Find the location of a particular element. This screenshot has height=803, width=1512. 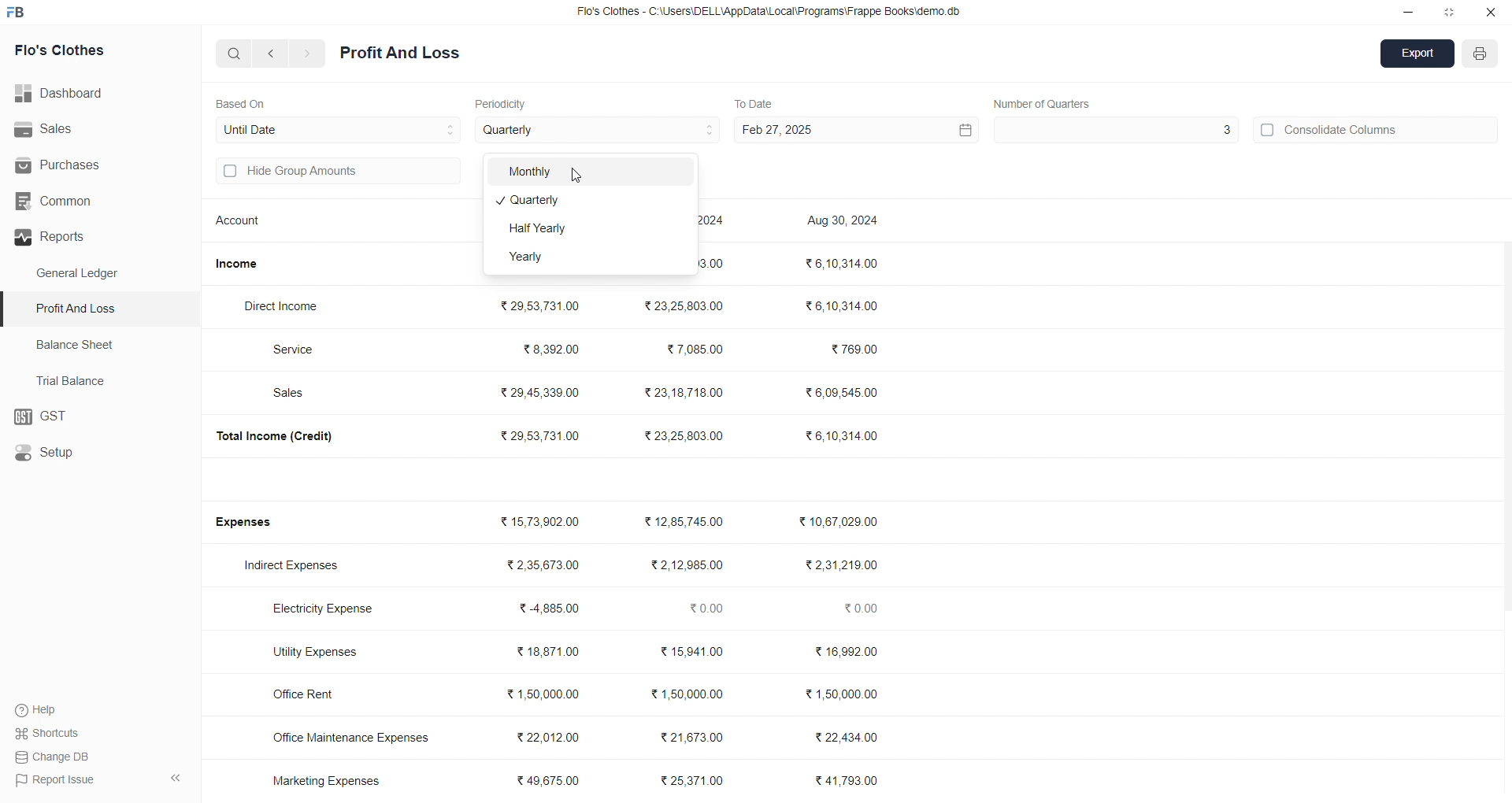

Quarterly is located at coordinates (598, 131).